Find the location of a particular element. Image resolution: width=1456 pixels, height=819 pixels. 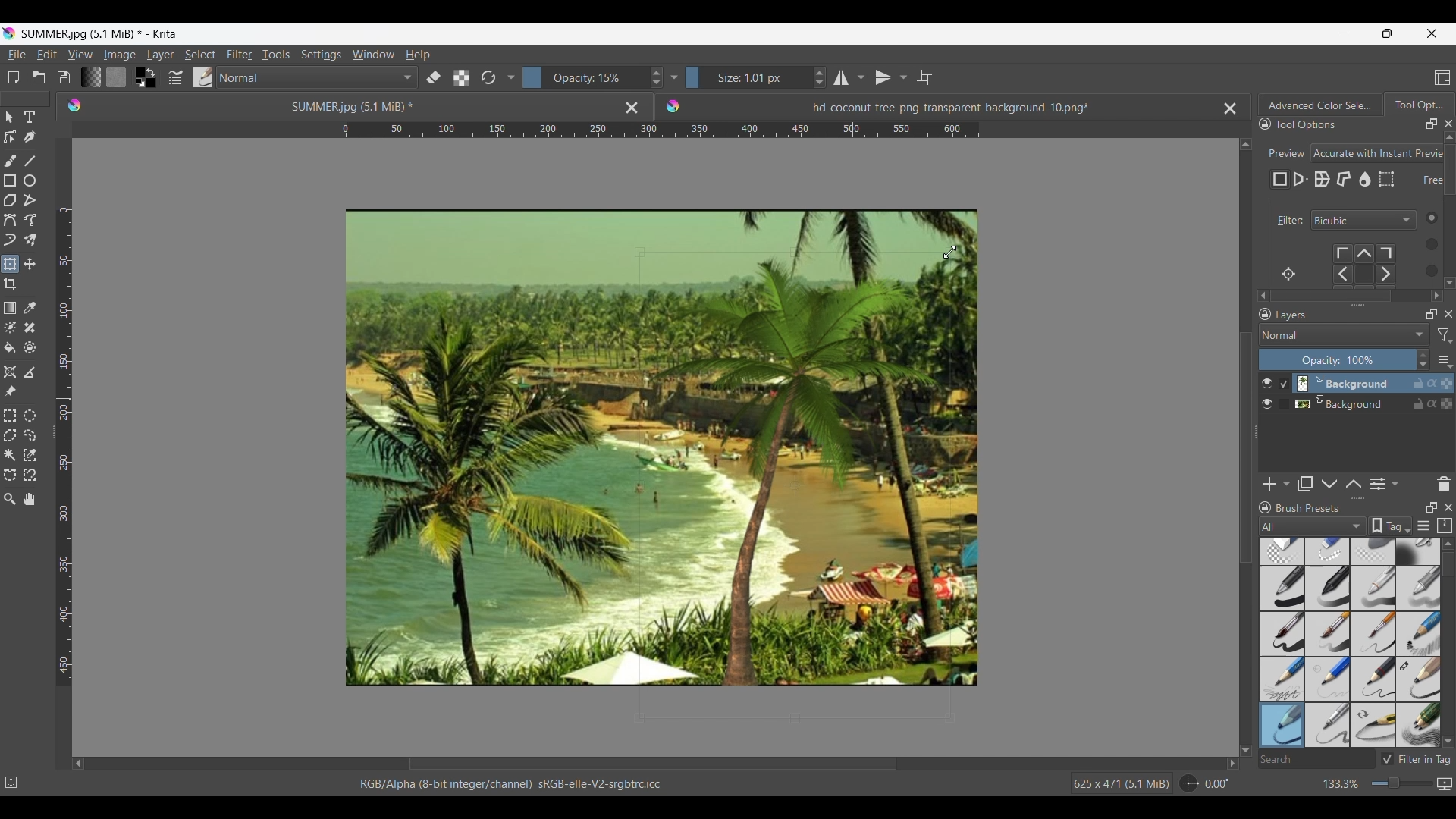

Color picker tool is located at coordinates (29, 308).